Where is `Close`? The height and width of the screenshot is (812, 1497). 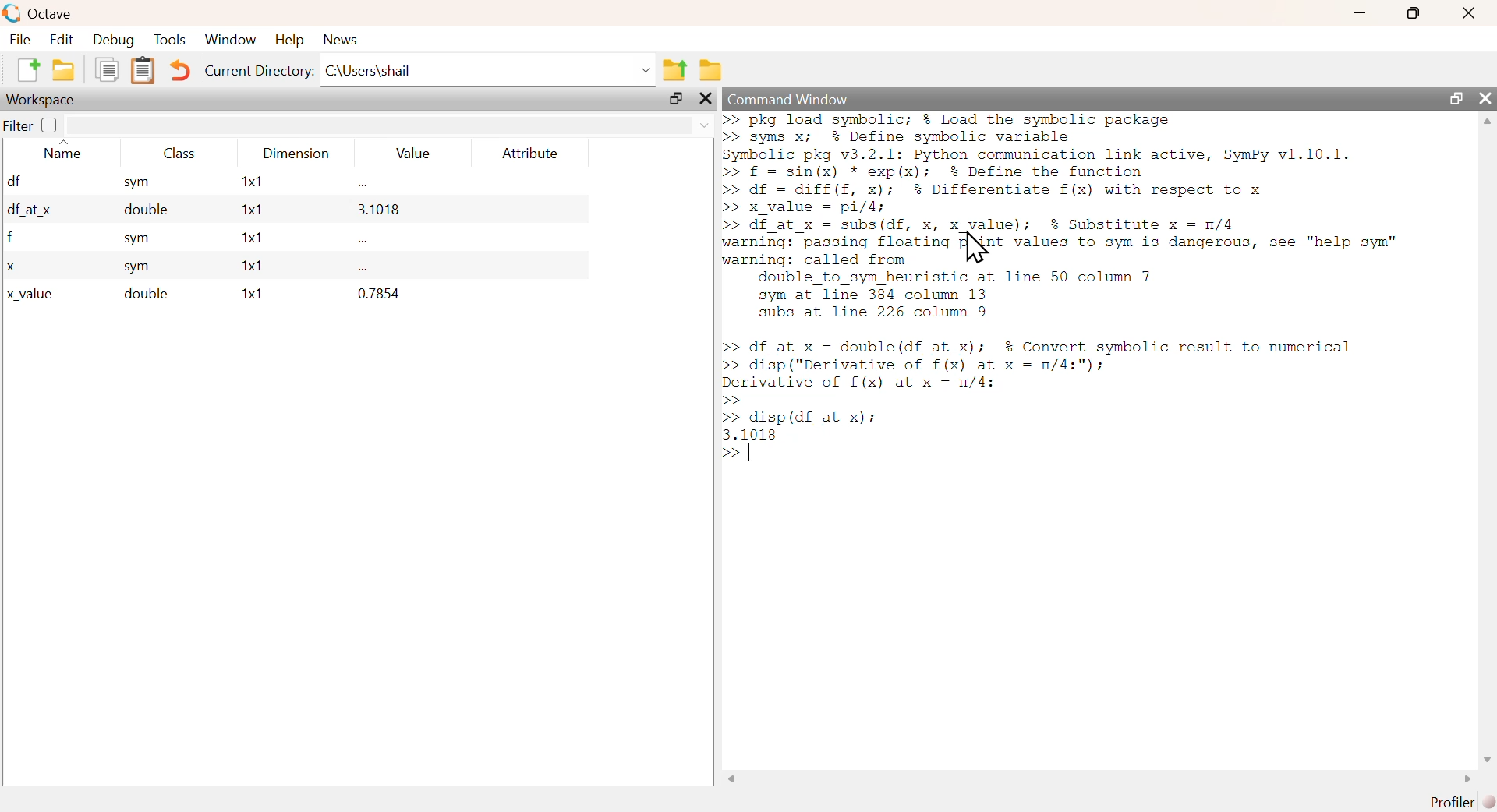 Close is located at coordinates (1468, 13).